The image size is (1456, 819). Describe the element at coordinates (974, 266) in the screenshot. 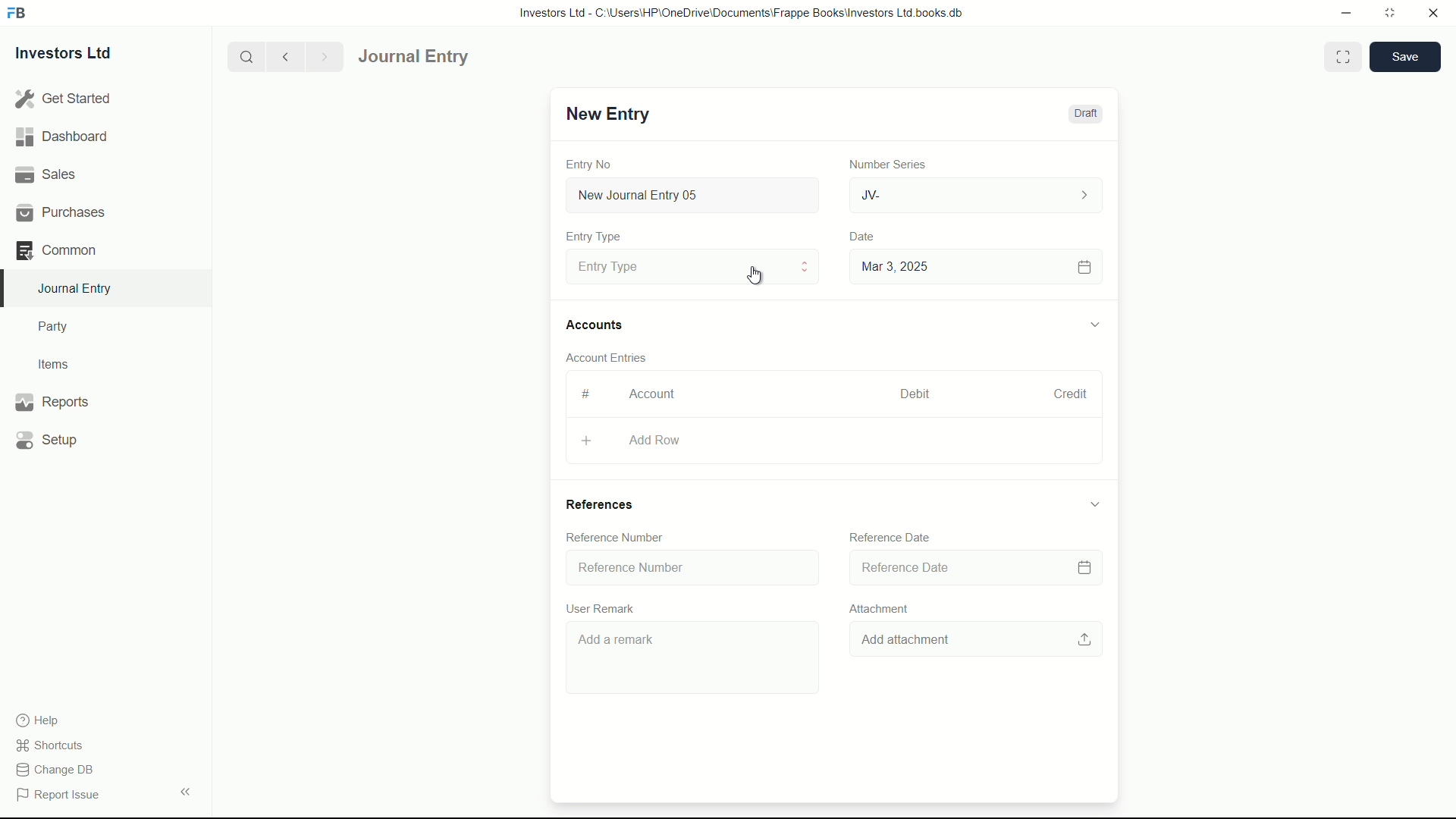

I see `Mar 3, 2025` at that location.